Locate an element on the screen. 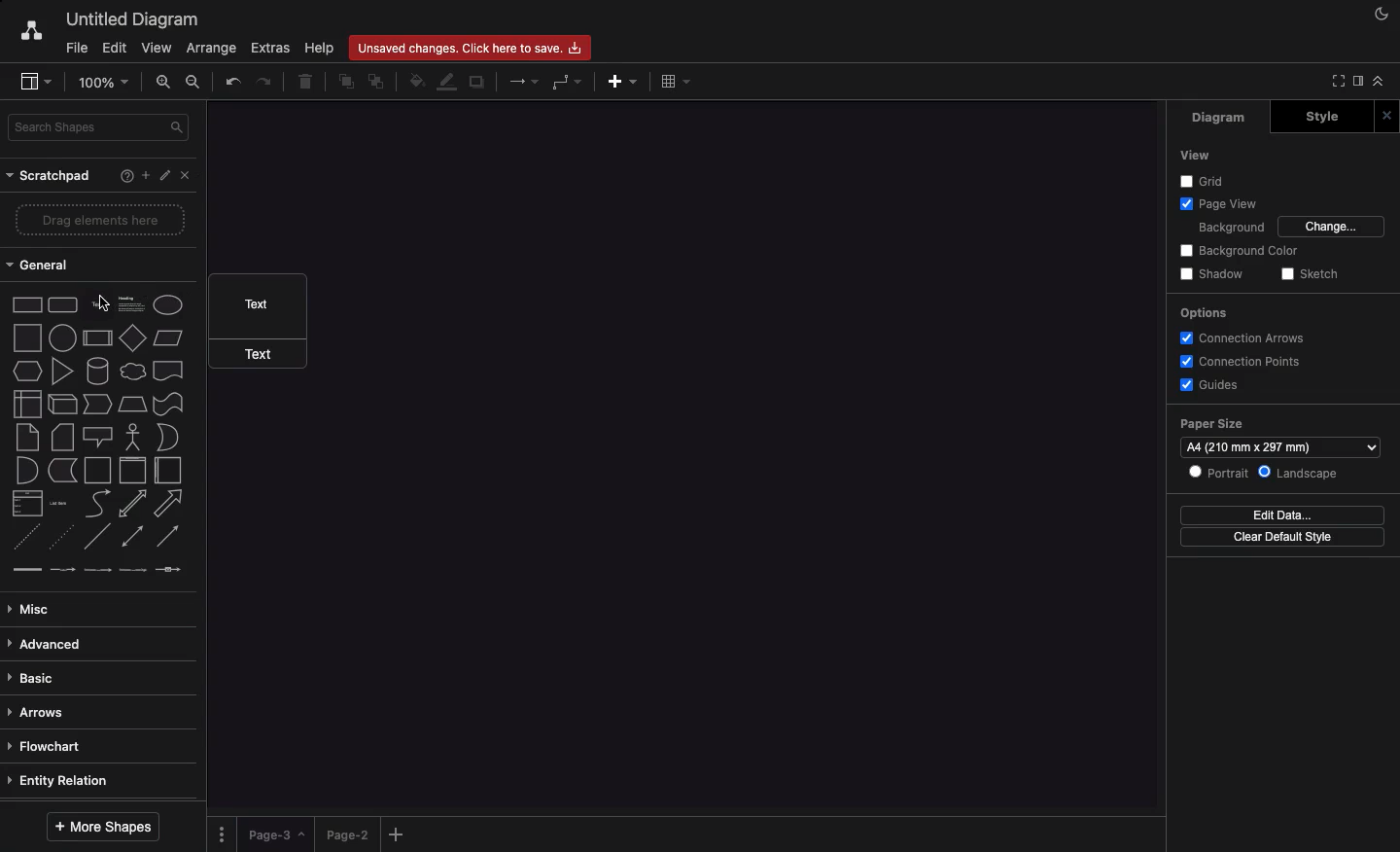 The width and height of the screenshot is (1400, 852). diamond is located at coordinates (133, 337).